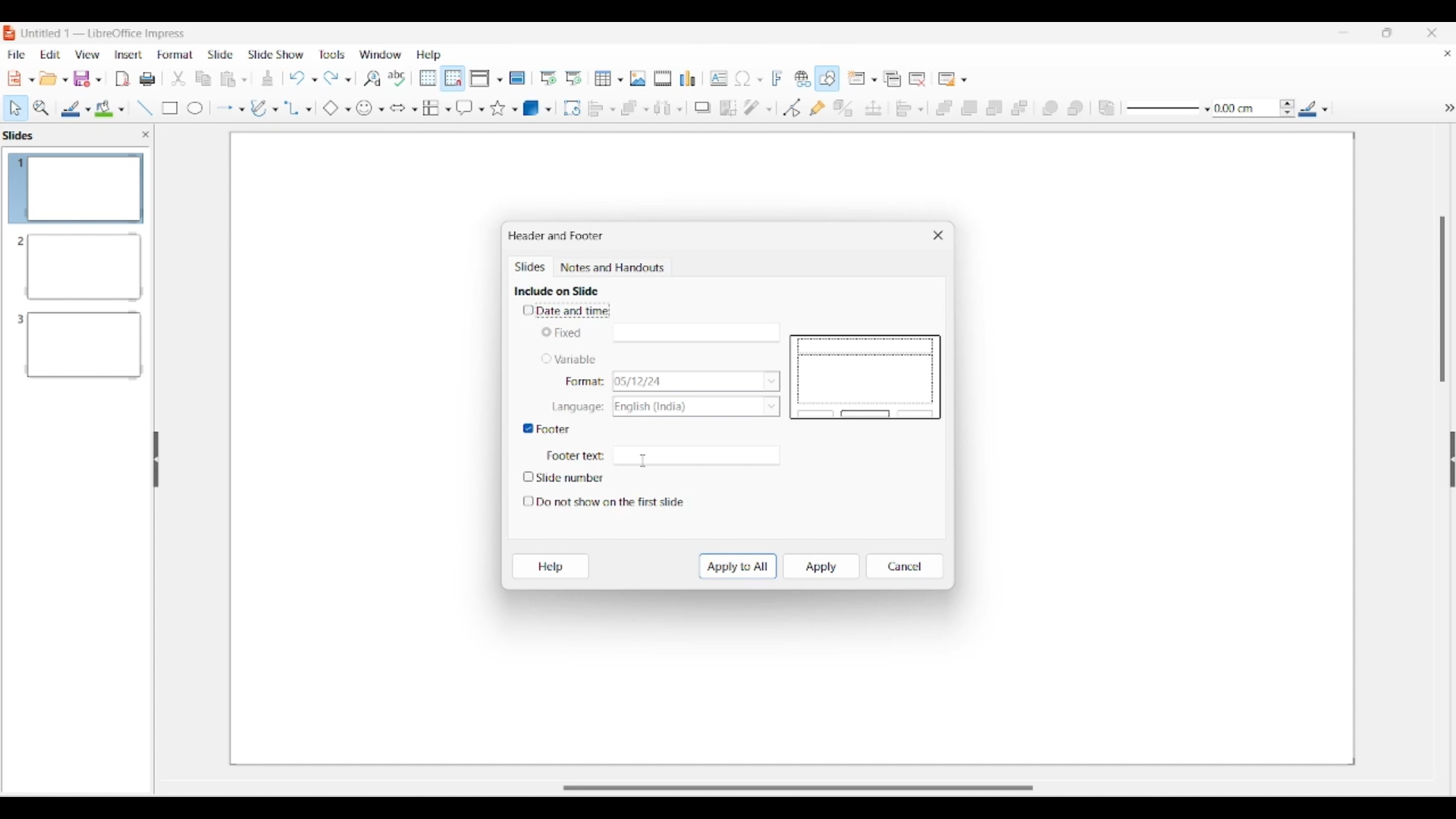 This screenshot has width=1456, height=819. I want to click on Toggle for date and time, so click(567, 311).